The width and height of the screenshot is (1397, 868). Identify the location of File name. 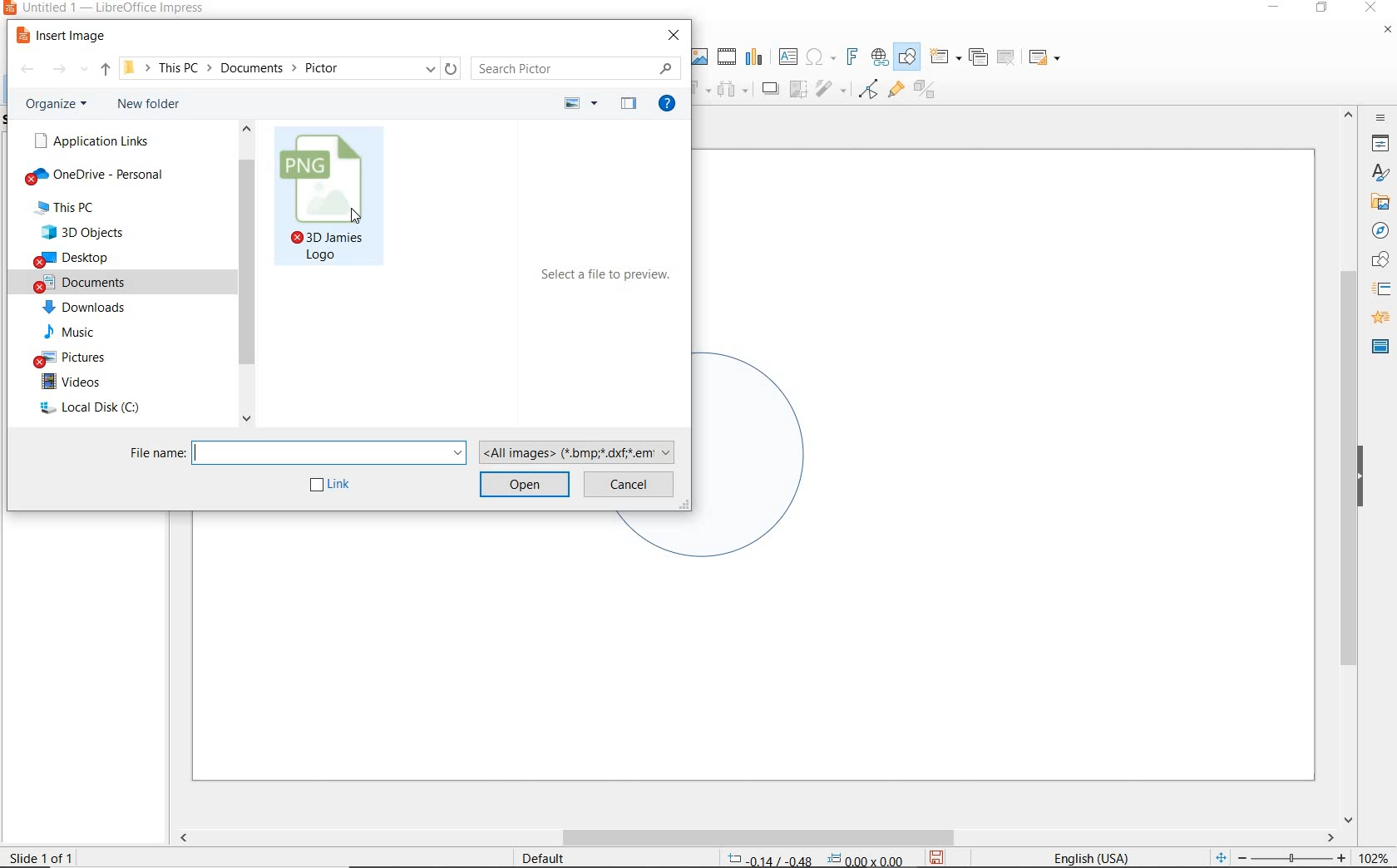
(296, 451).